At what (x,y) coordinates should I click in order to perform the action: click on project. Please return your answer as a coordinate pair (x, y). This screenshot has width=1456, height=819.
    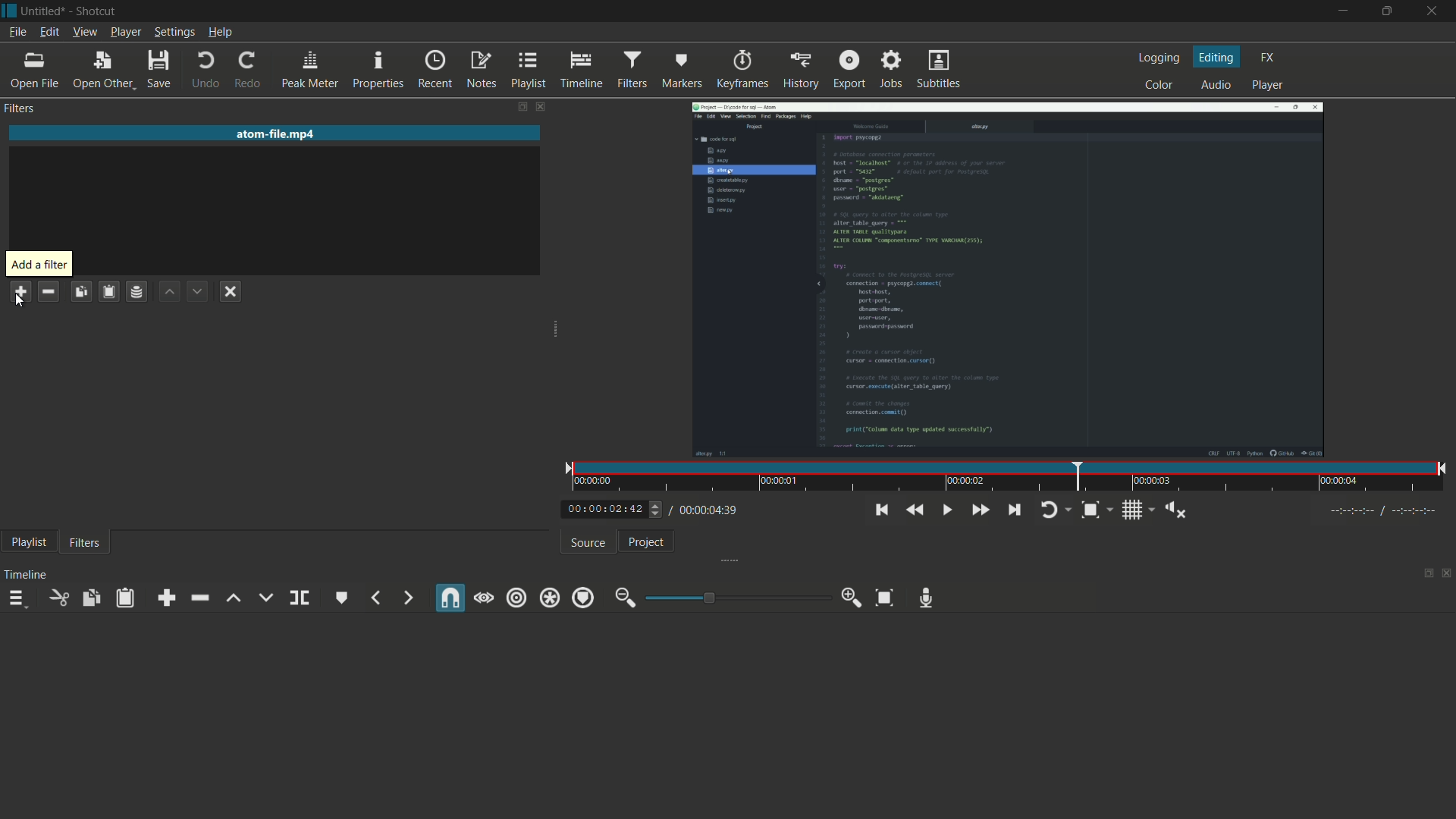
    Looking at the image, I should click on (645, 542).